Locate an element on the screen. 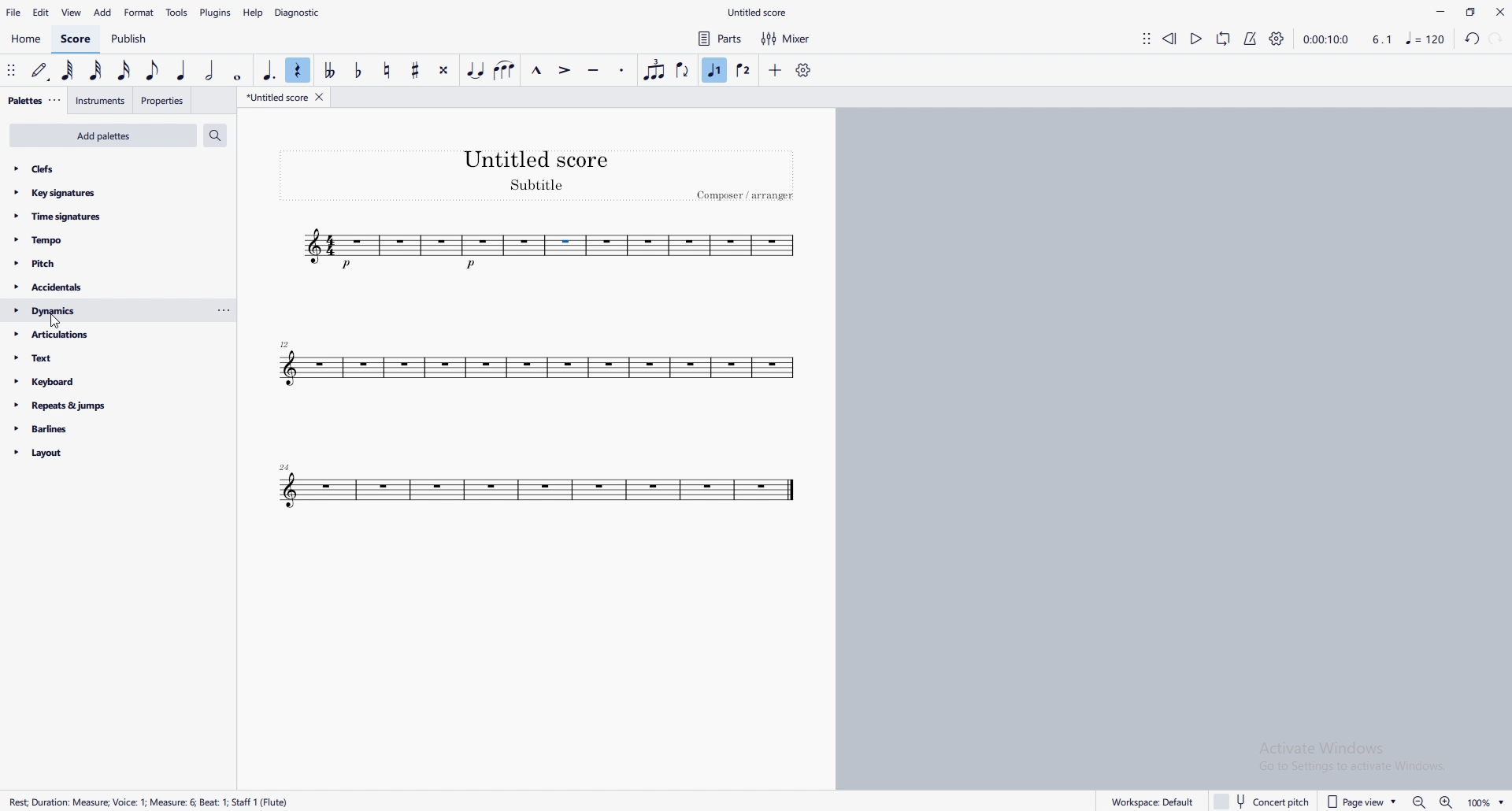 The height and width of the screenshot is (811, 1512). slur is located at coordinates (503, 70).